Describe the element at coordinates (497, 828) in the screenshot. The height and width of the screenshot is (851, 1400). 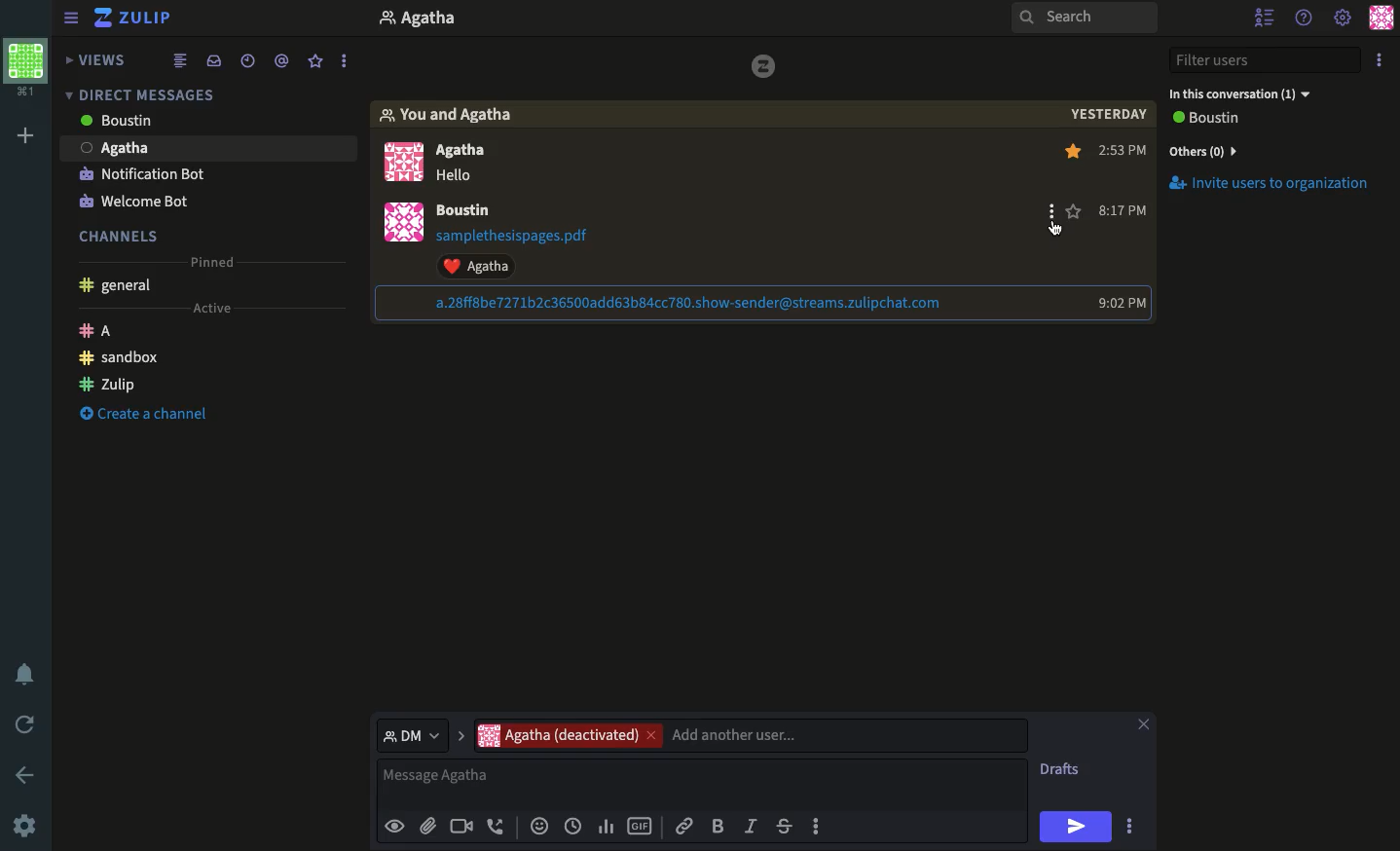
I see `Audio call` at that location.